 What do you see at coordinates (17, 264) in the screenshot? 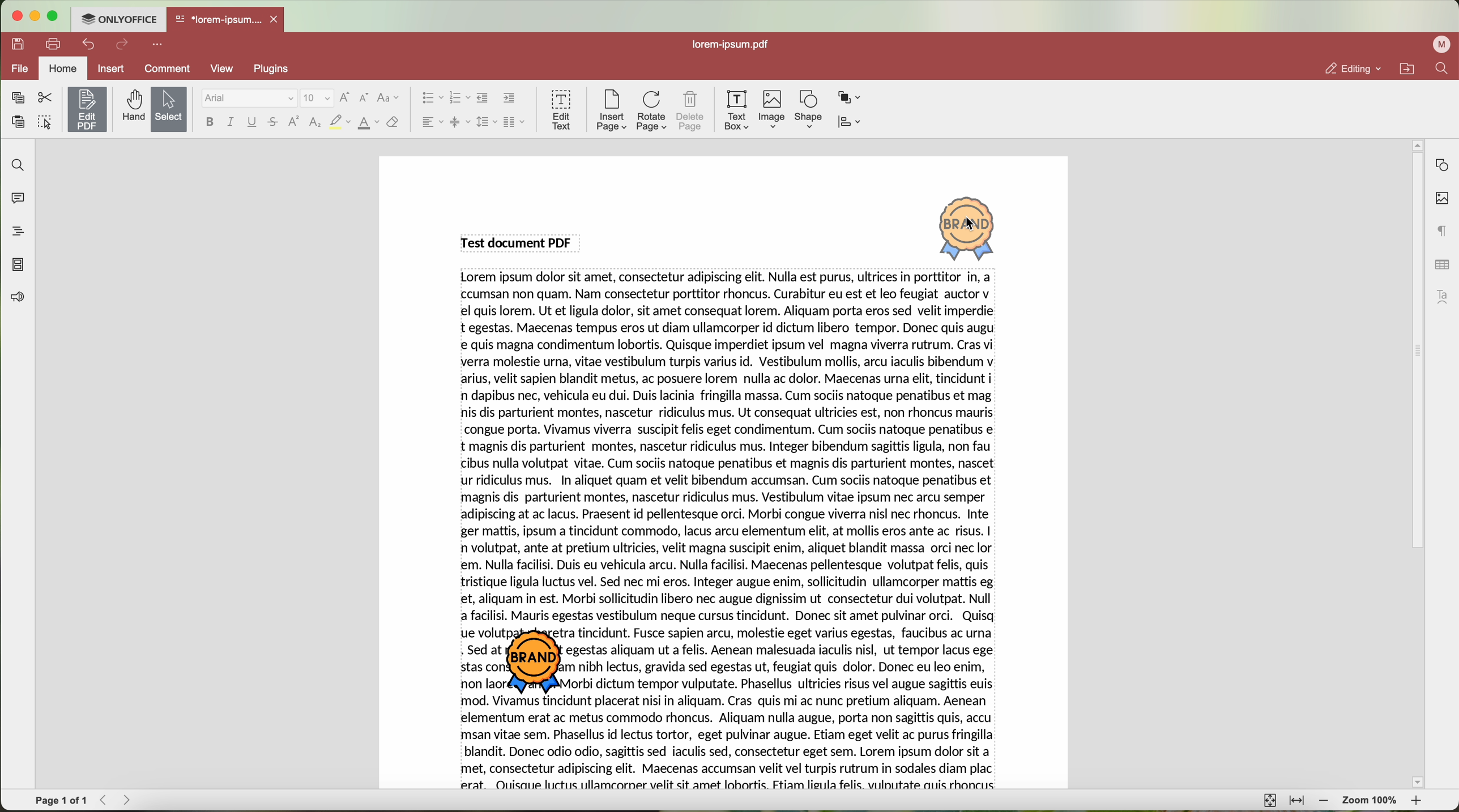
I see `page thumbnails` at bounding box center [17, 264].